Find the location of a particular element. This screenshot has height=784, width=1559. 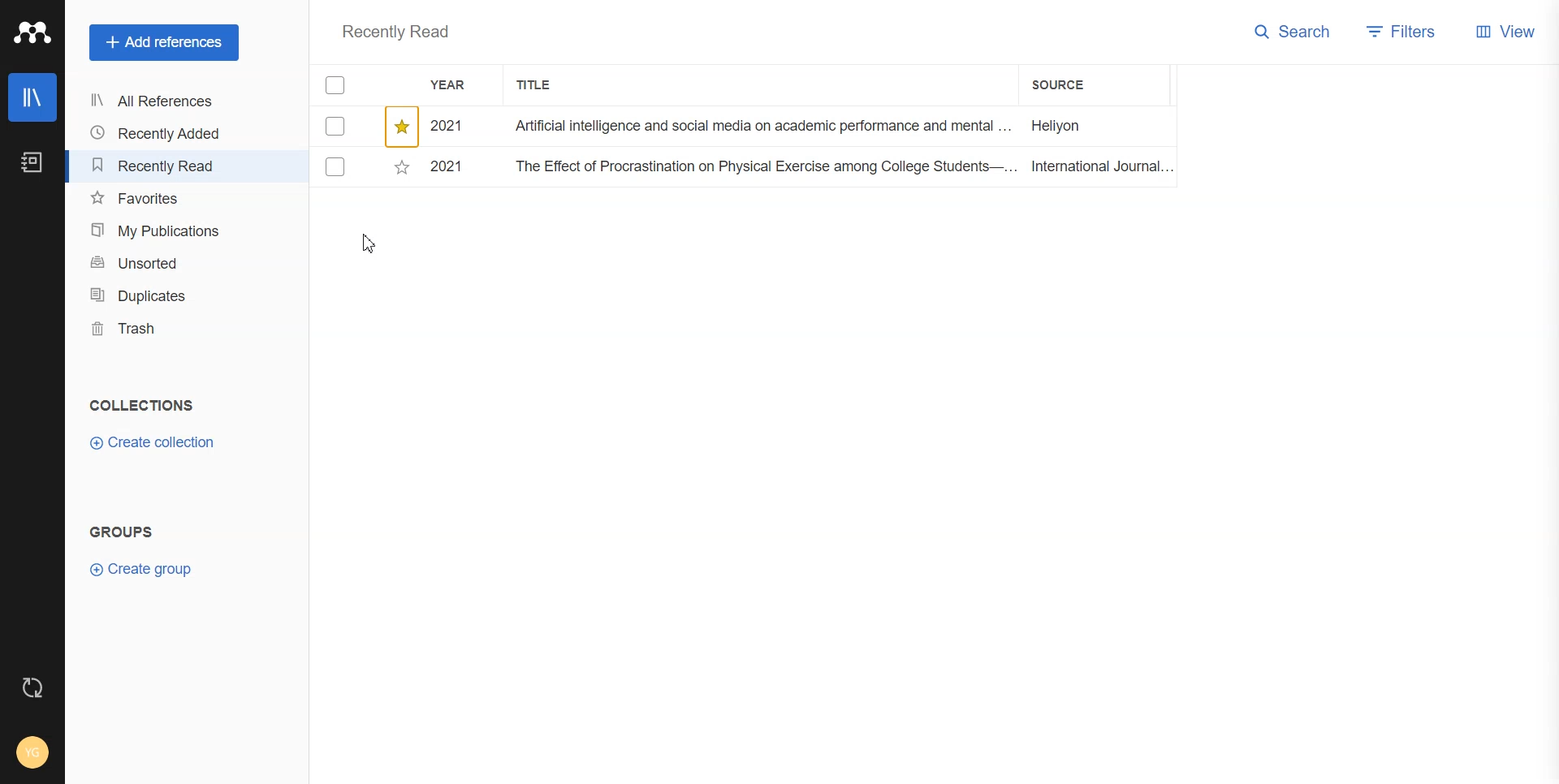

Favorites is located at coordinates (160, 196).